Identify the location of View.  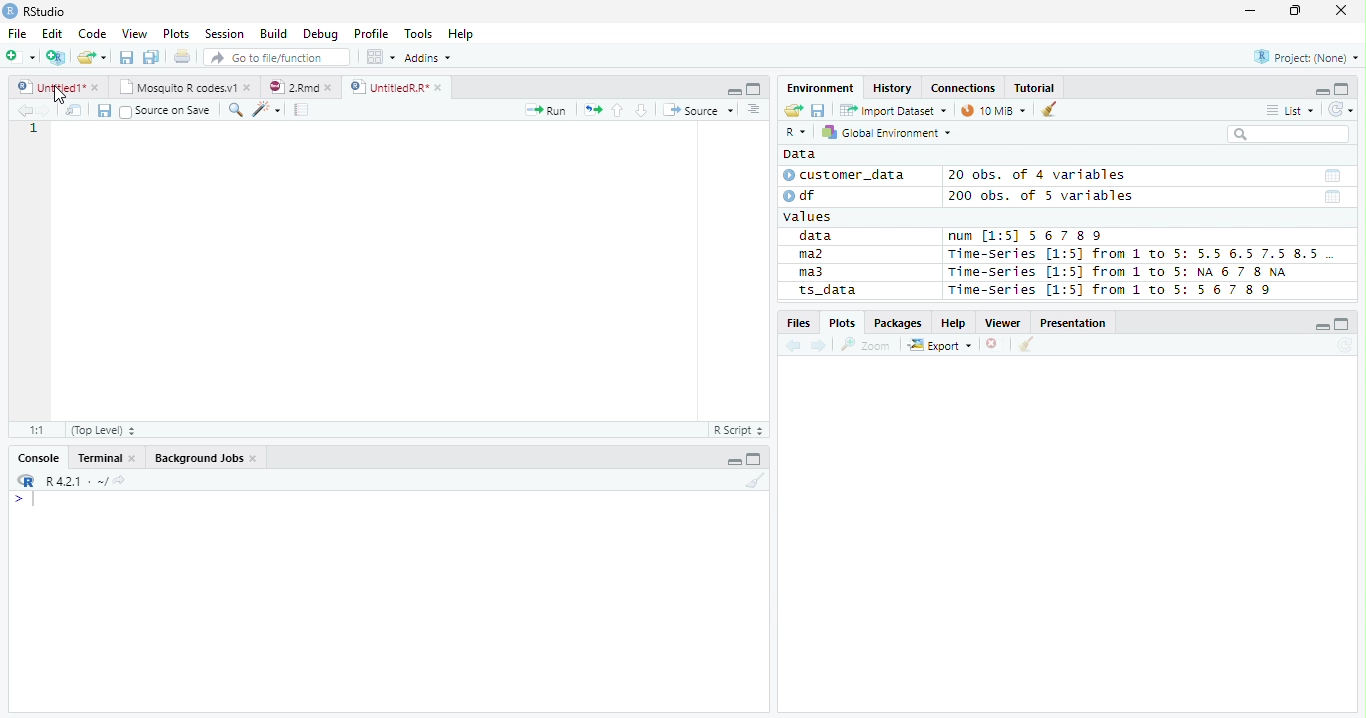
(136, 33).